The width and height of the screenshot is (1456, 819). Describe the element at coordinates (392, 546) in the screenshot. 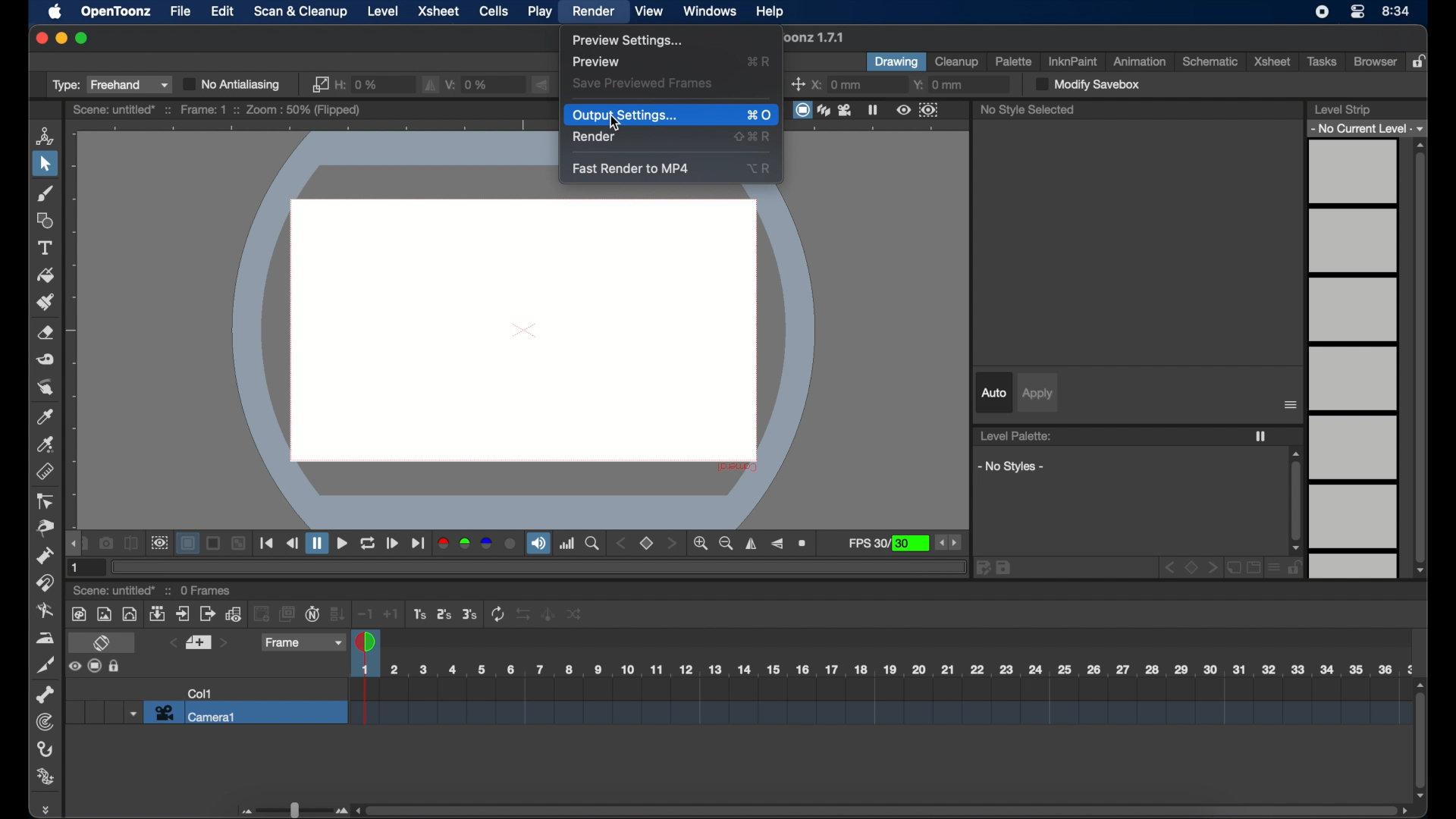

I see `` at that location.